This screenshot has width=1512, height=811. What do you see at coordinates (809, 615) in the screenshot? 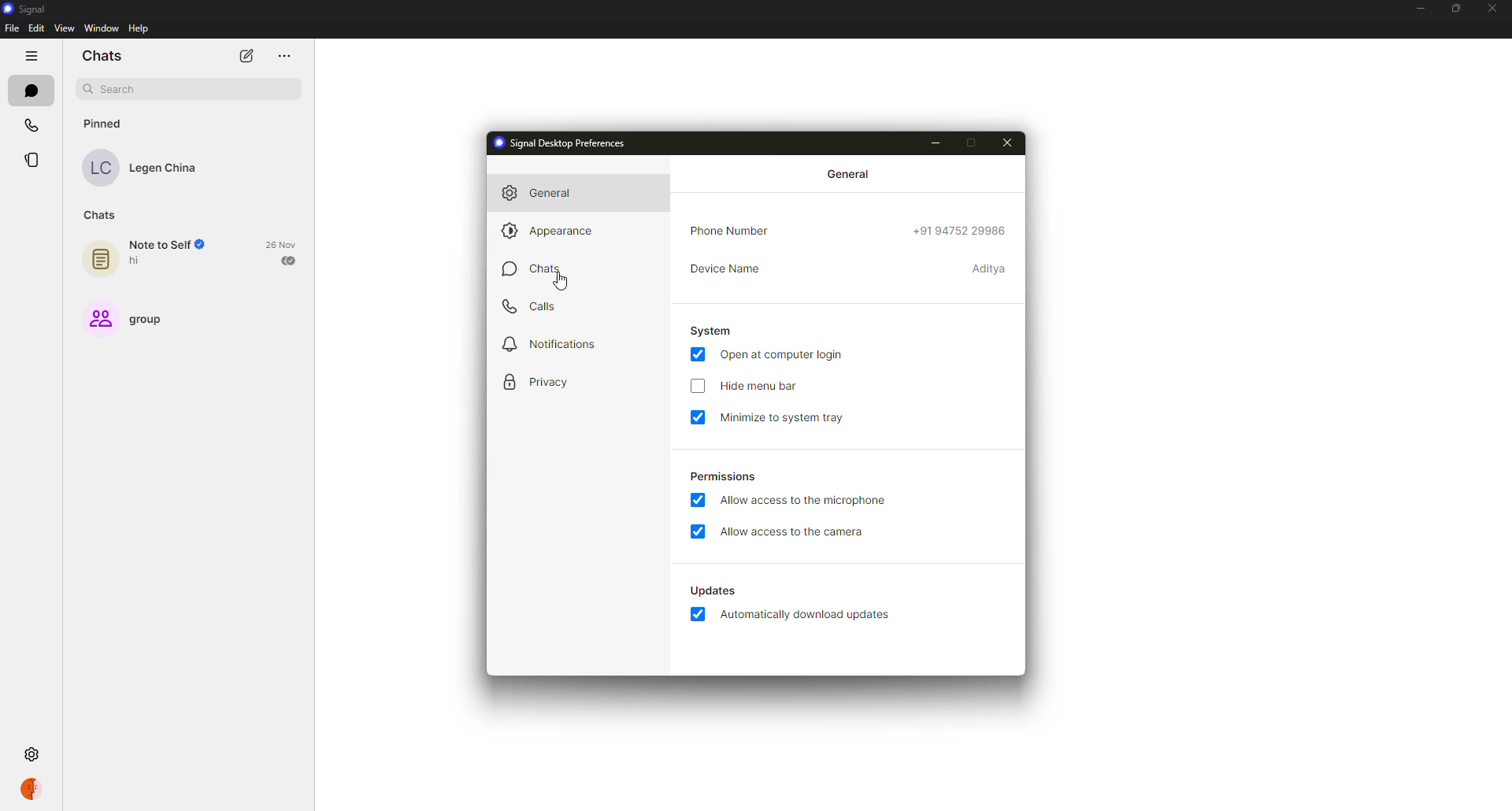
I see `automatically download updates` at bounding box center [809, 615].